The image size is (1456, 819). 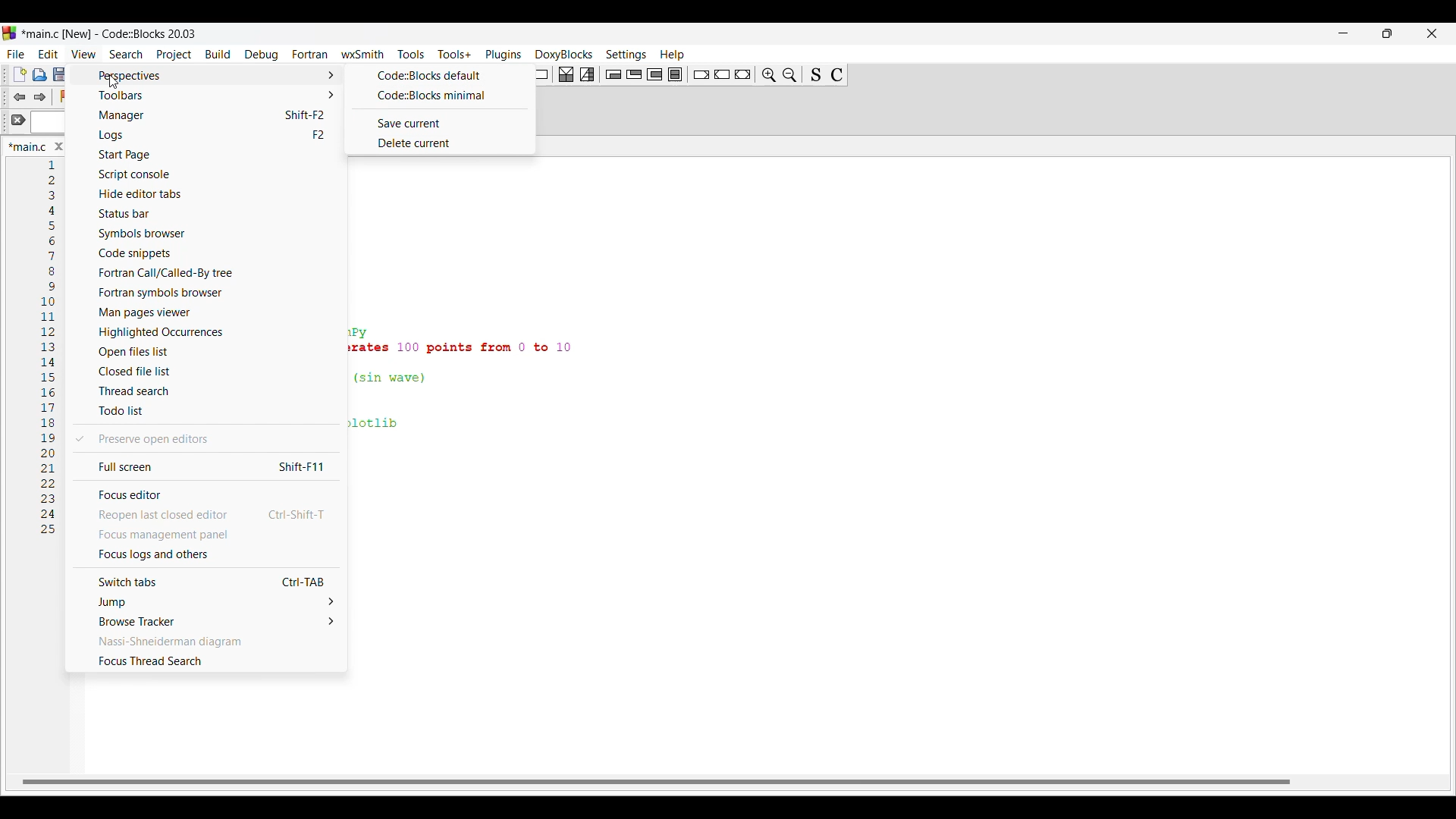 I want to click on Jump back, so click(x=18, y=97).